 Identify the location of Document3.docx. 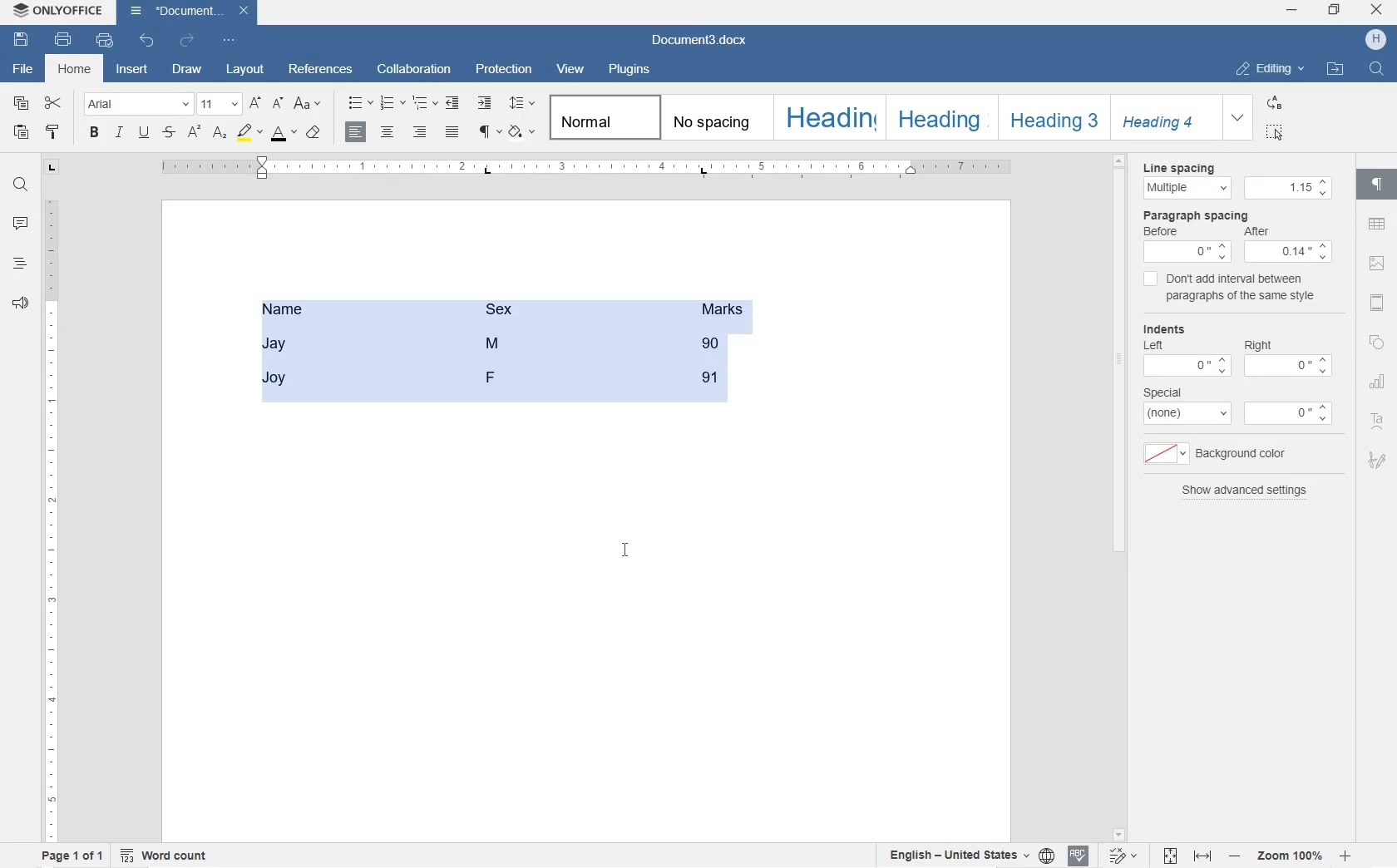
(705, 39).